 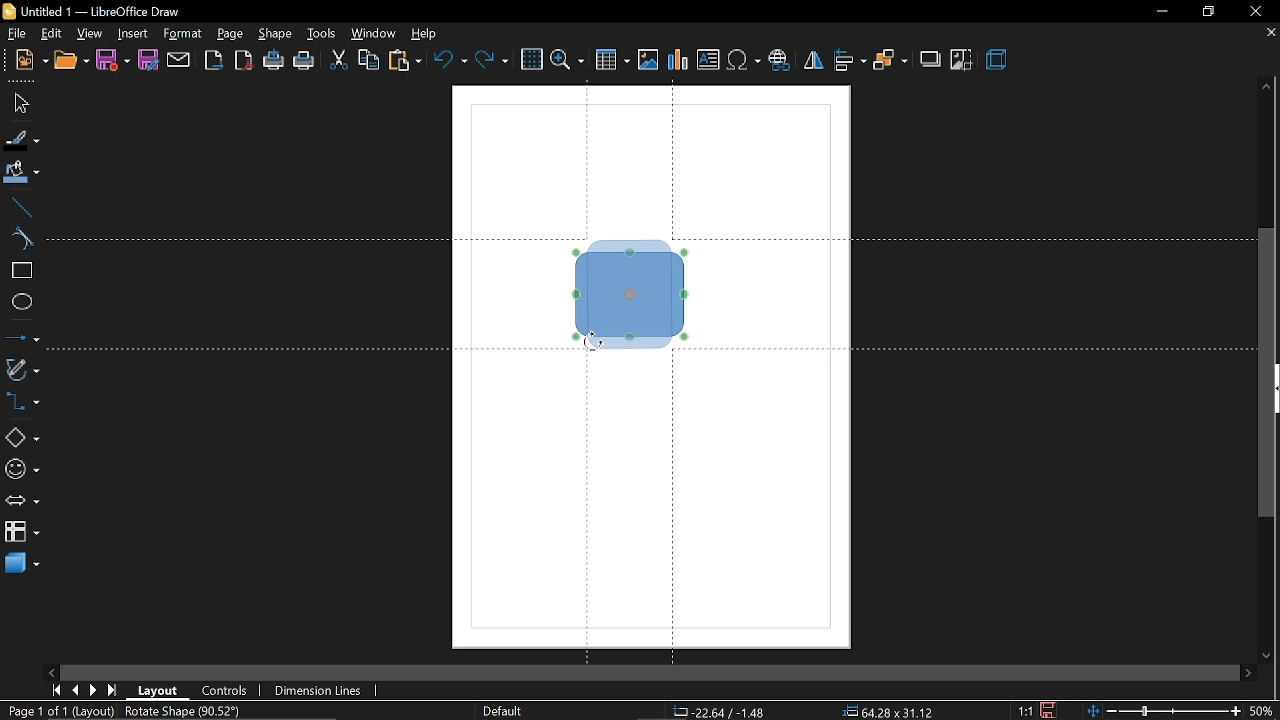 What do you see at coordinates (22, 339) in the screenshot?
I see `lines and arrows` at bounding box center [22, 339].